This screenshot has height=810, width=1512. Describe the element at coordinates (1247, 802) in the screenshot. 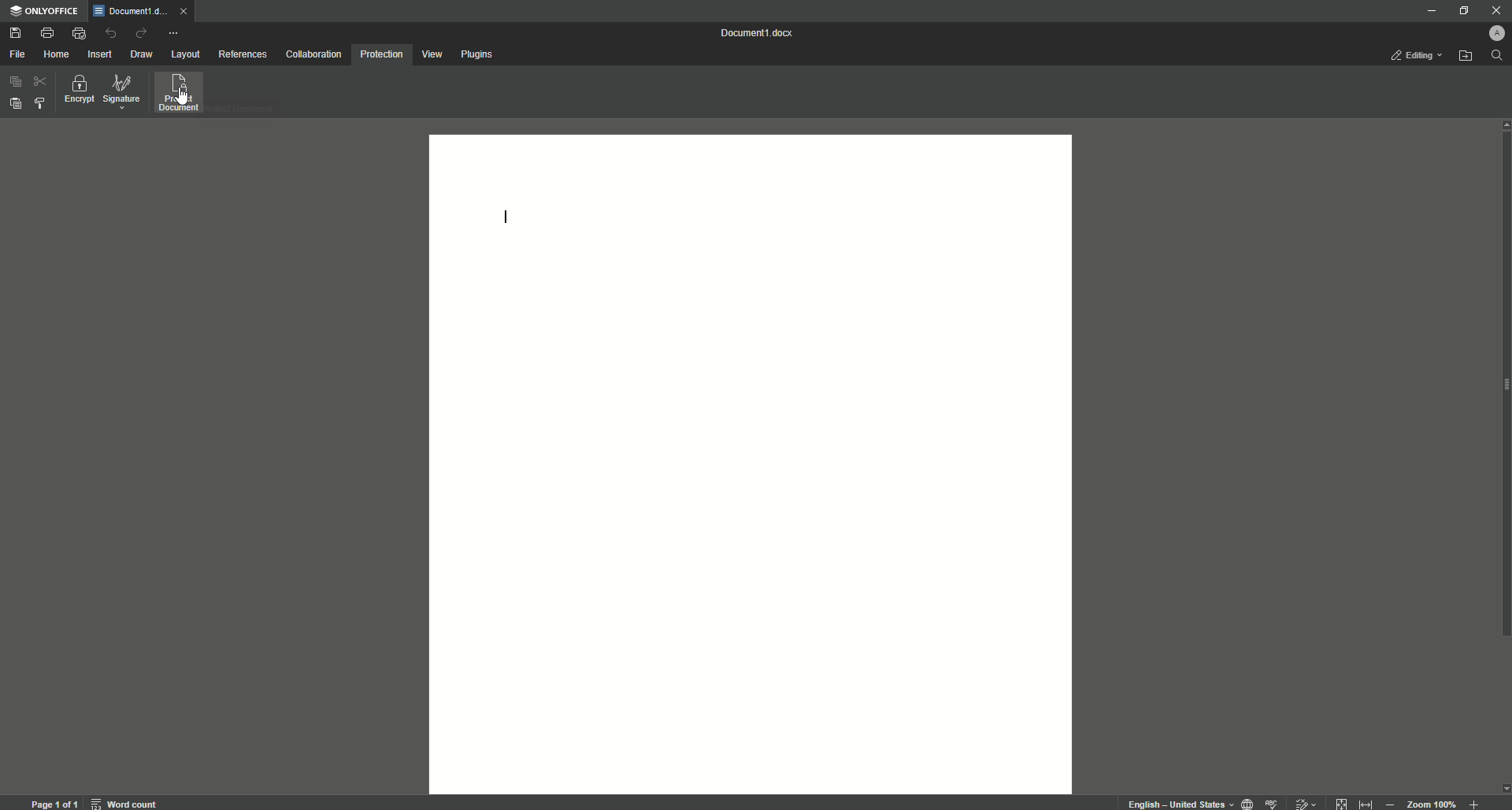

I see `set document language` at that location.